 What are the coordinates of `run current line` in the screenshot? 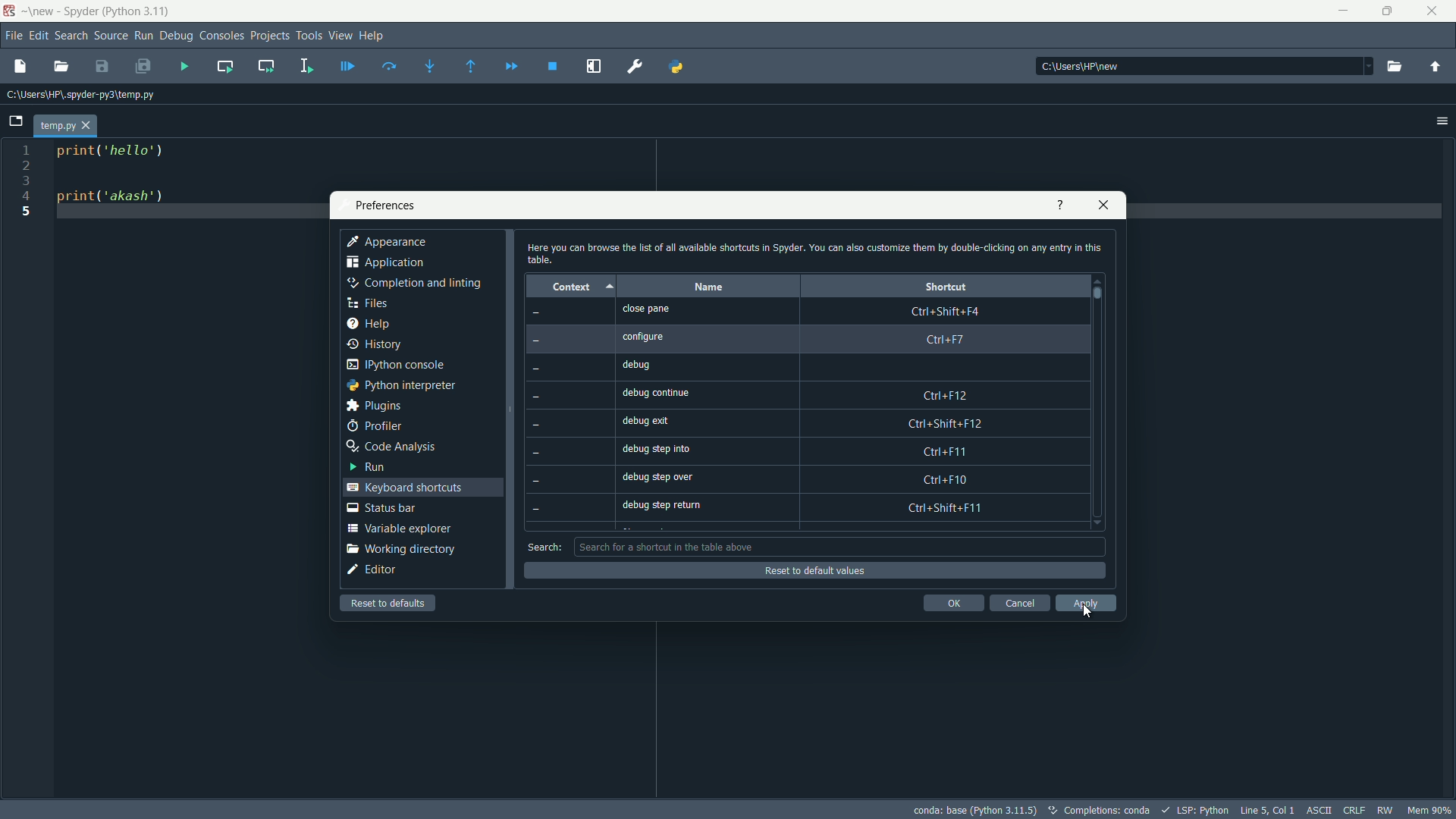 It's located at (389, 66).